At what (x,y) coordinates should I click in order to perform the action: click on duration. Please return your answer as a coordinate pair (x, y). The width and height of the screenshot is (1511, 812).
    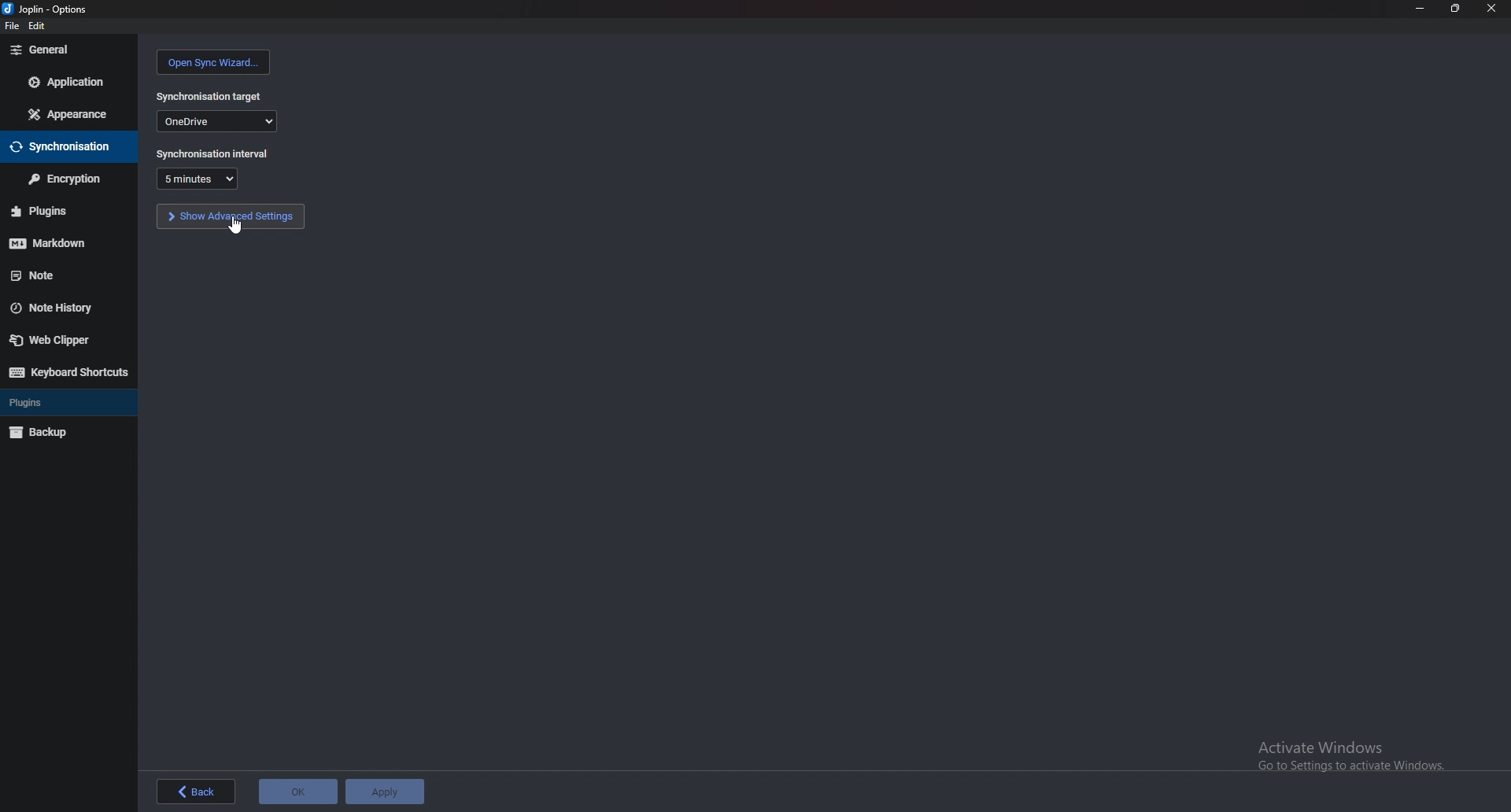
    Looking at the image, I should click on (197, 179).